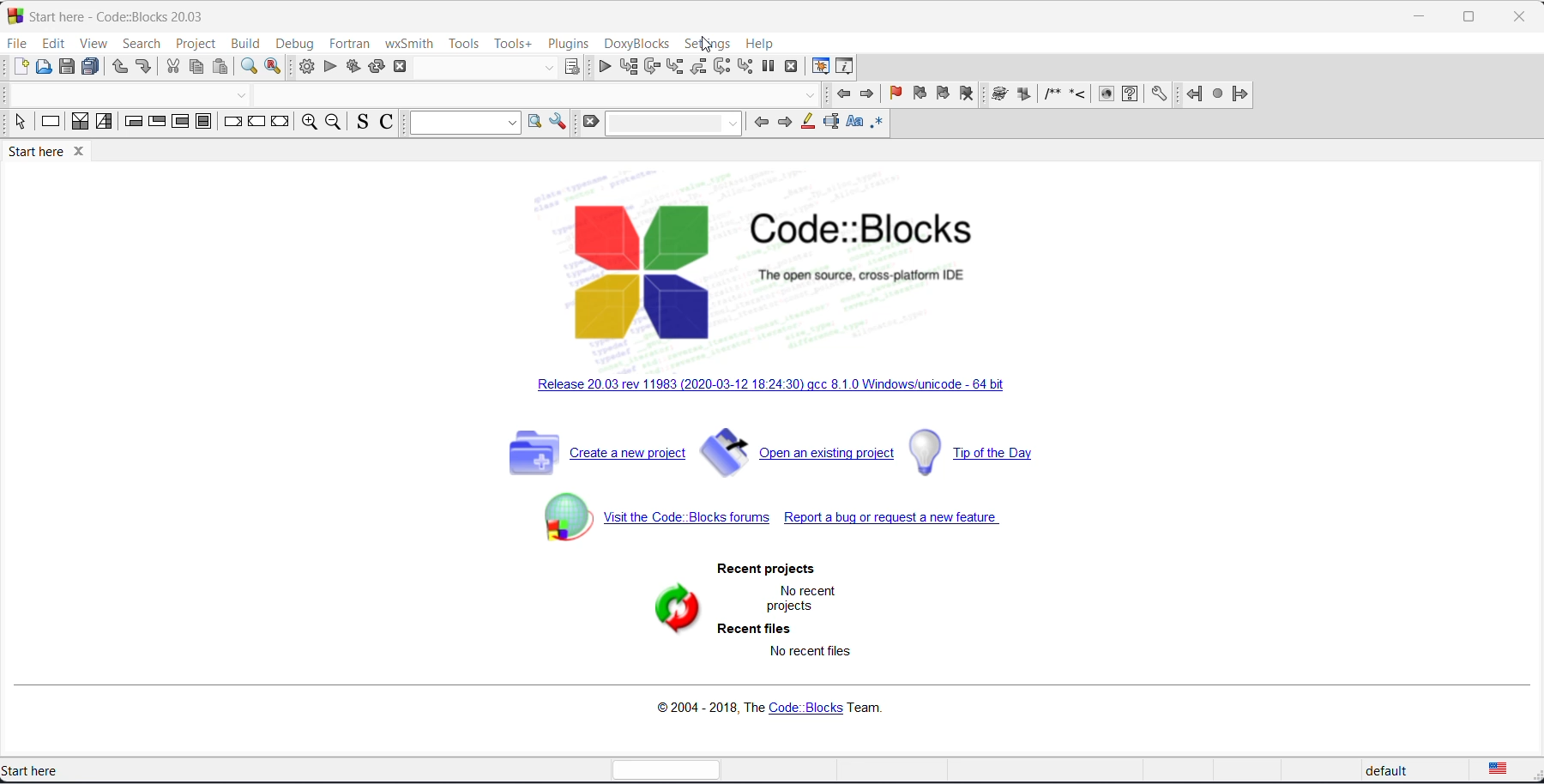  What do you see at coordinates (943, 93) in the screenshot?
I see `next bookmark` at bounding box center [943, 93].